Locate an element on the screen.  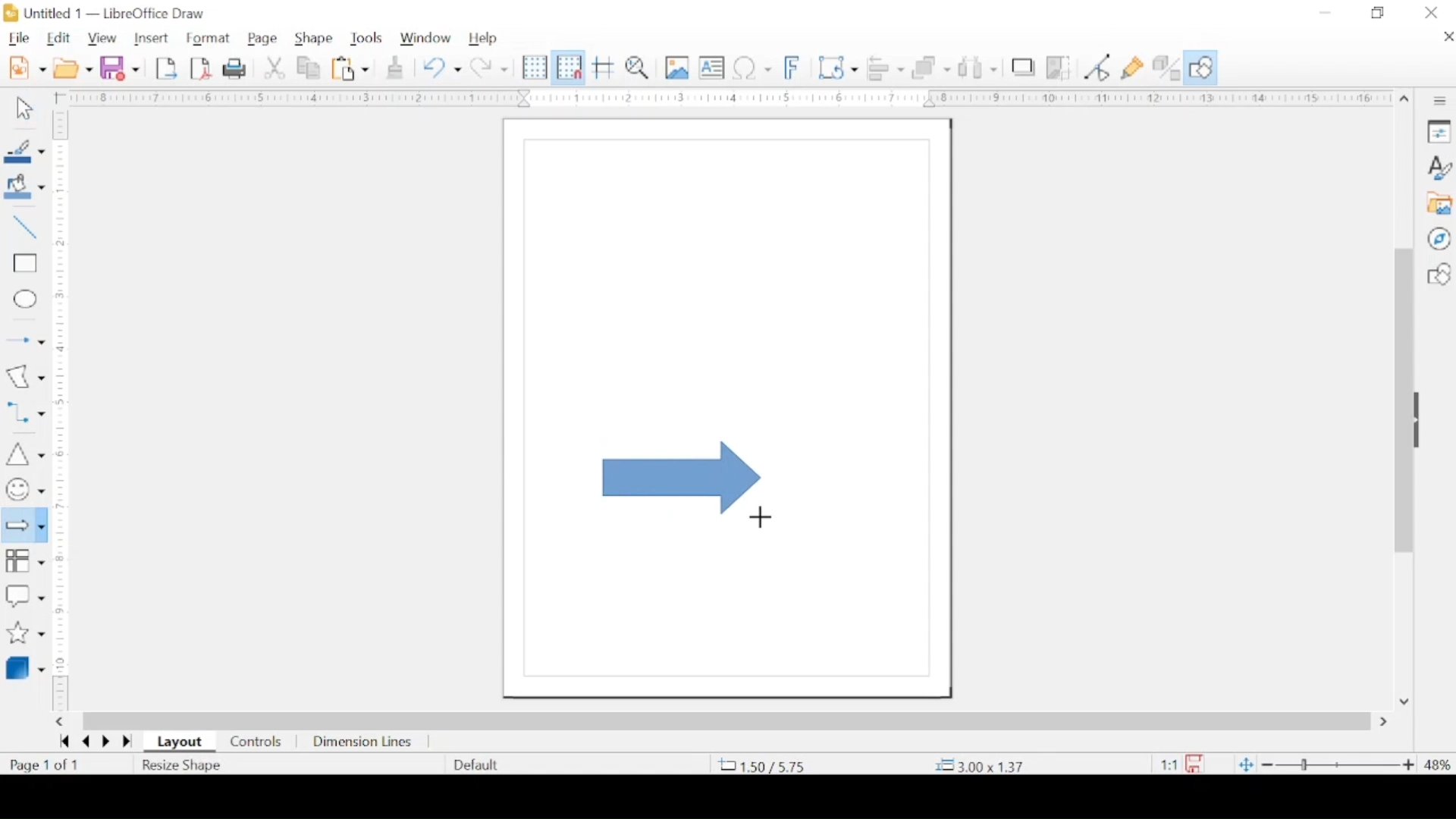
connectors is located at coordinates (25, 413).